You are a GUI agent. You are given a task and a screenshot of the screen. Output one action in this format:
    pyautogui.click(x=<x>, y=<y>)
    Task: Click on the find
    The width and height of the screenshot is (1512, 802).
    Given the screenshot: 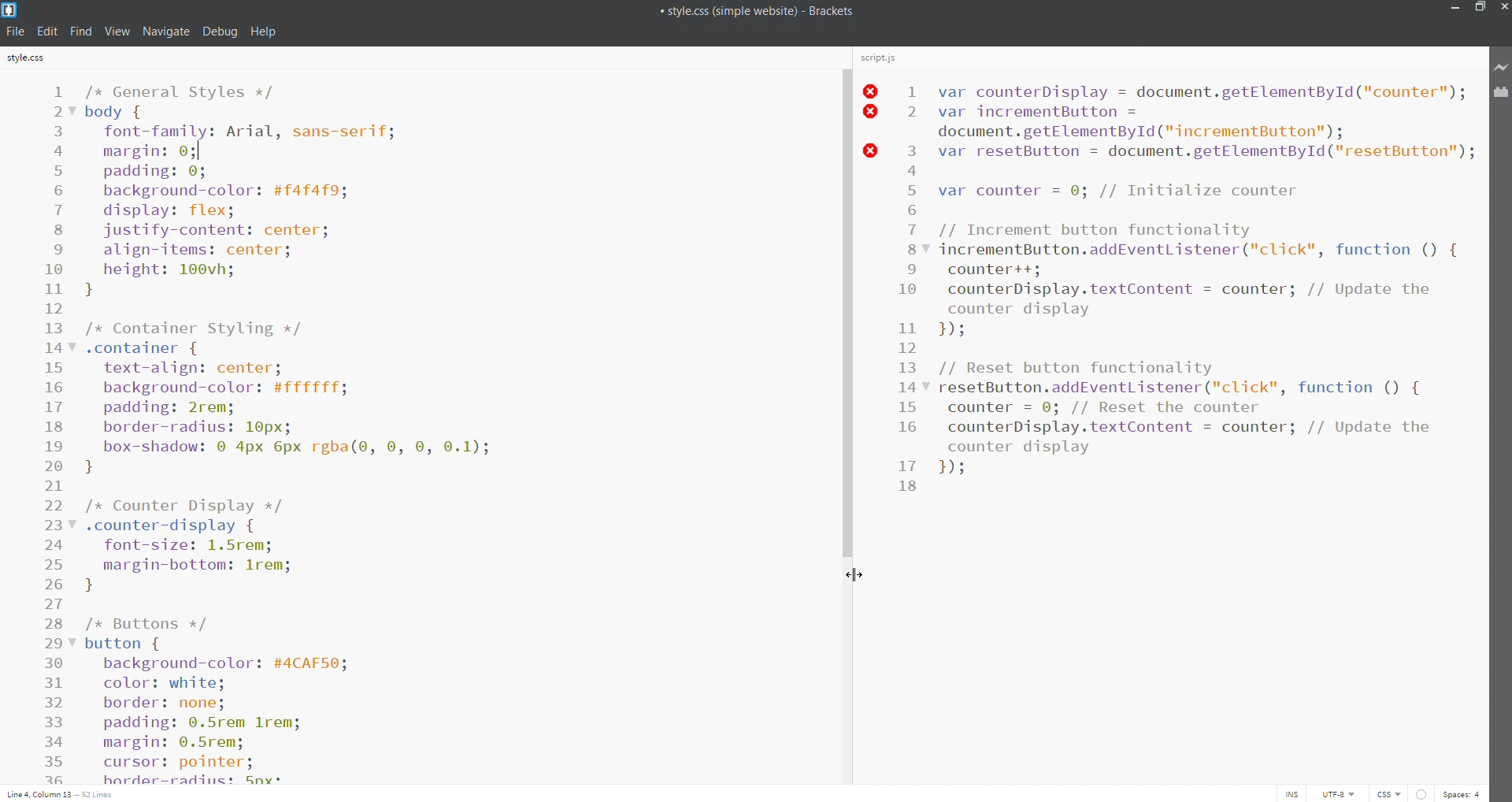 What is the action you would take?
    pyautogui.click(x=80, y=32)
    